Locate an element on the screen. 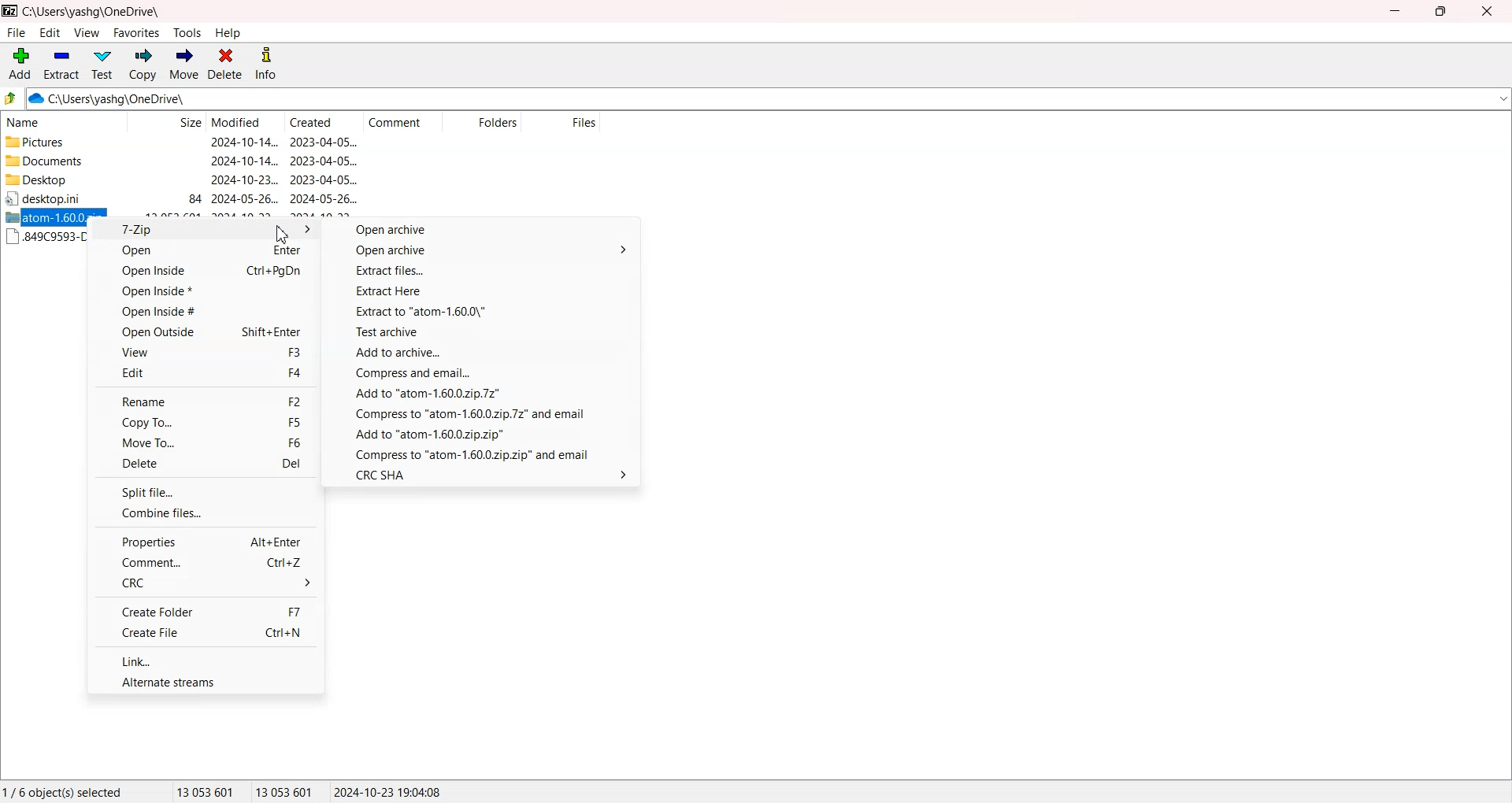 The width and height of the screenshot is (1512, 803). CRC is located at coordinates (205, 583).